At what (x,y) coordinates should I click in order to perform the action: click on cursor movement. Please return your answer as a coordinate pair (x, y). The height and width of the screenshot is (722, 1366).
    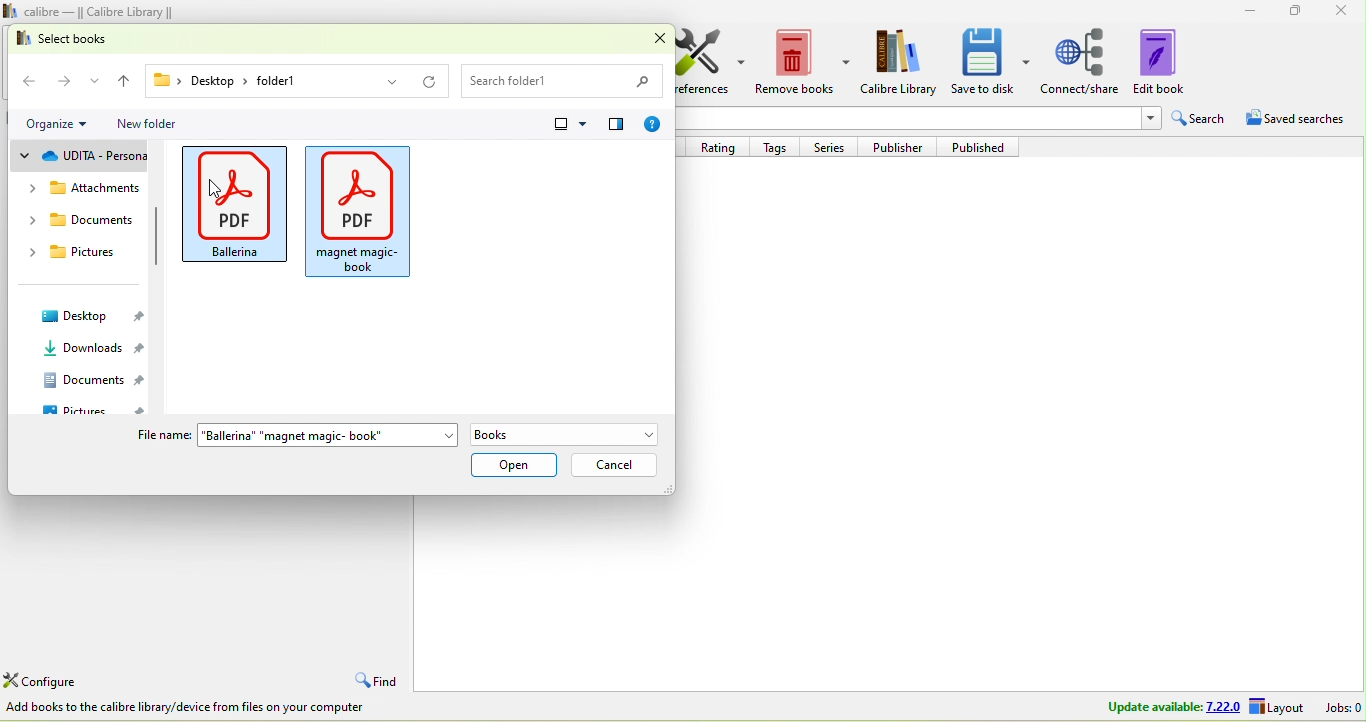
    Looking at the image, I should click on (210, 192).